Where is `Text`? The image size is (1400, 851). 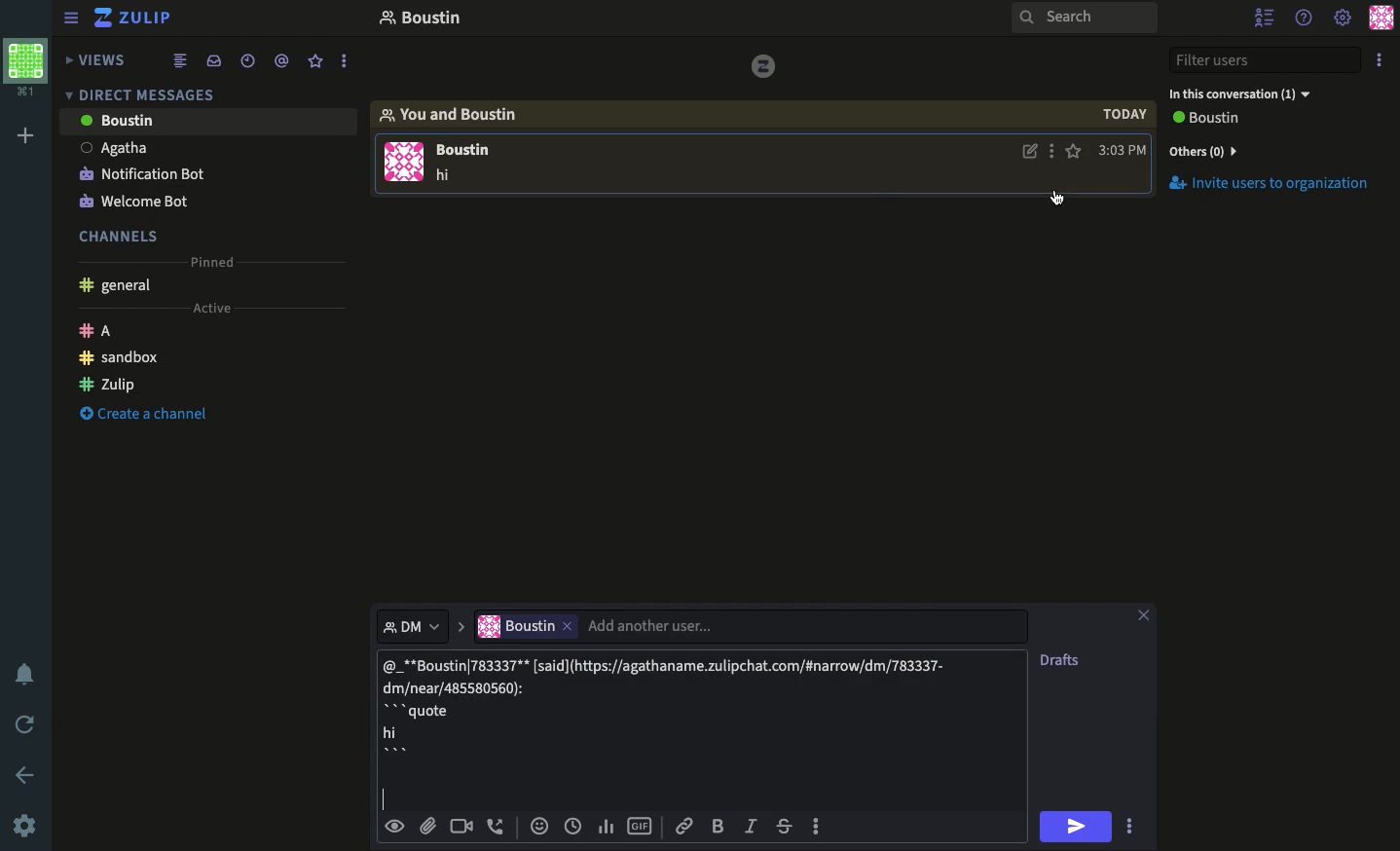 Text is located at coordinates (671, 713).